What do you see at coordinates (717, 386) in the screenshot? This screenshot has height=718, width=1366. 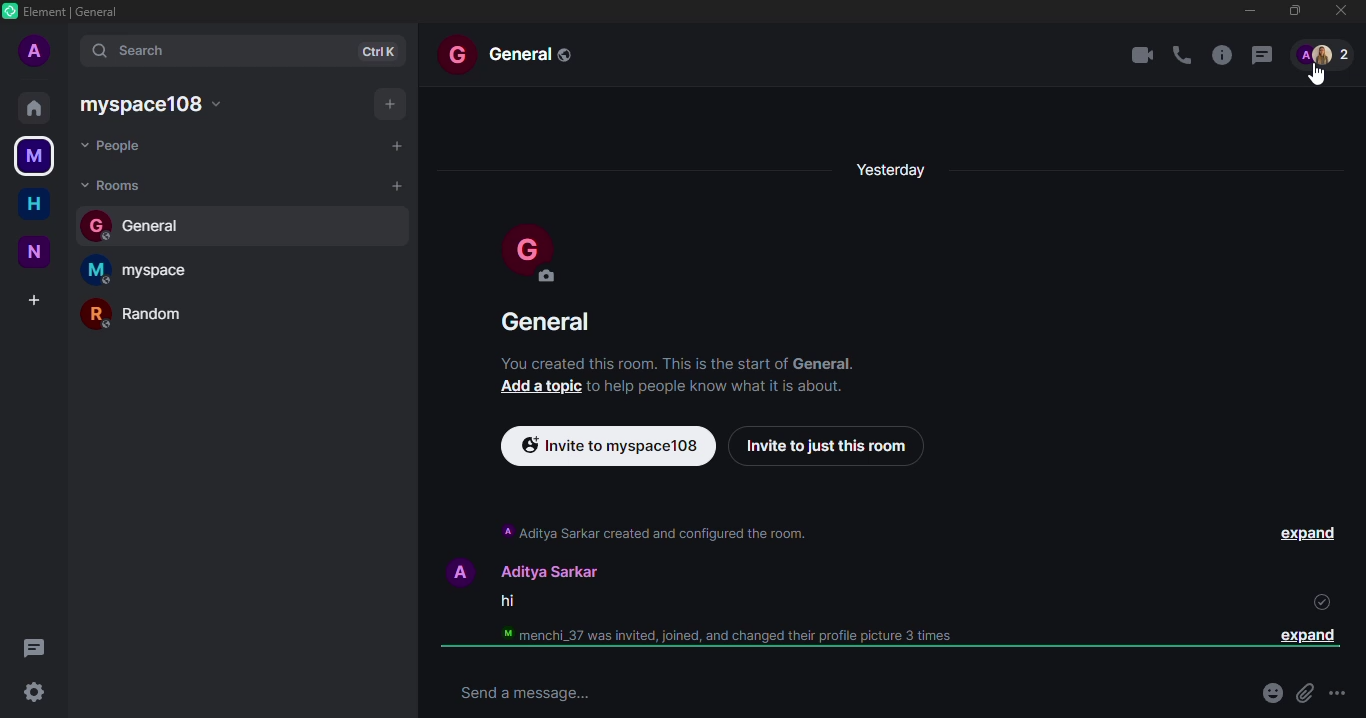 I see `to help people know what it is about` at bounding box center [717, 386].